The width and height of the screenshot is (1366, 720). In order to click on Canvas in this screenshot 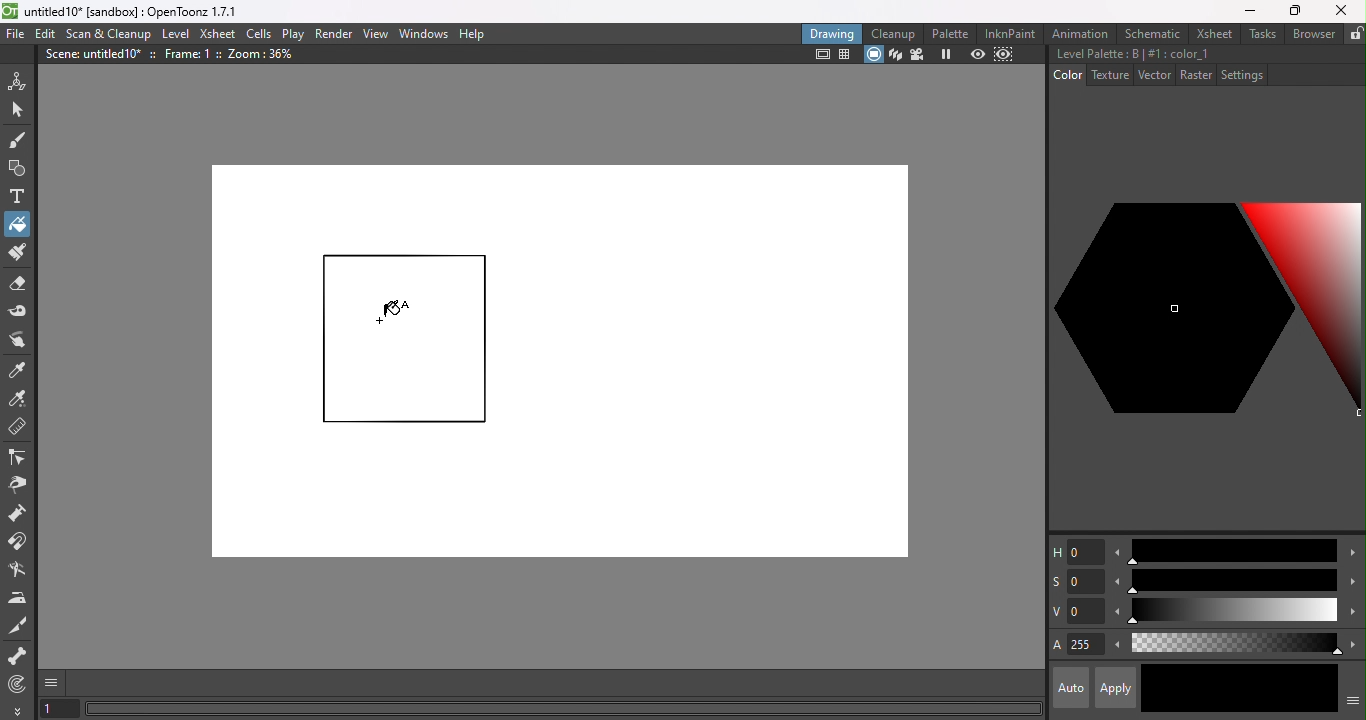, I will do `click(554, 360)`.